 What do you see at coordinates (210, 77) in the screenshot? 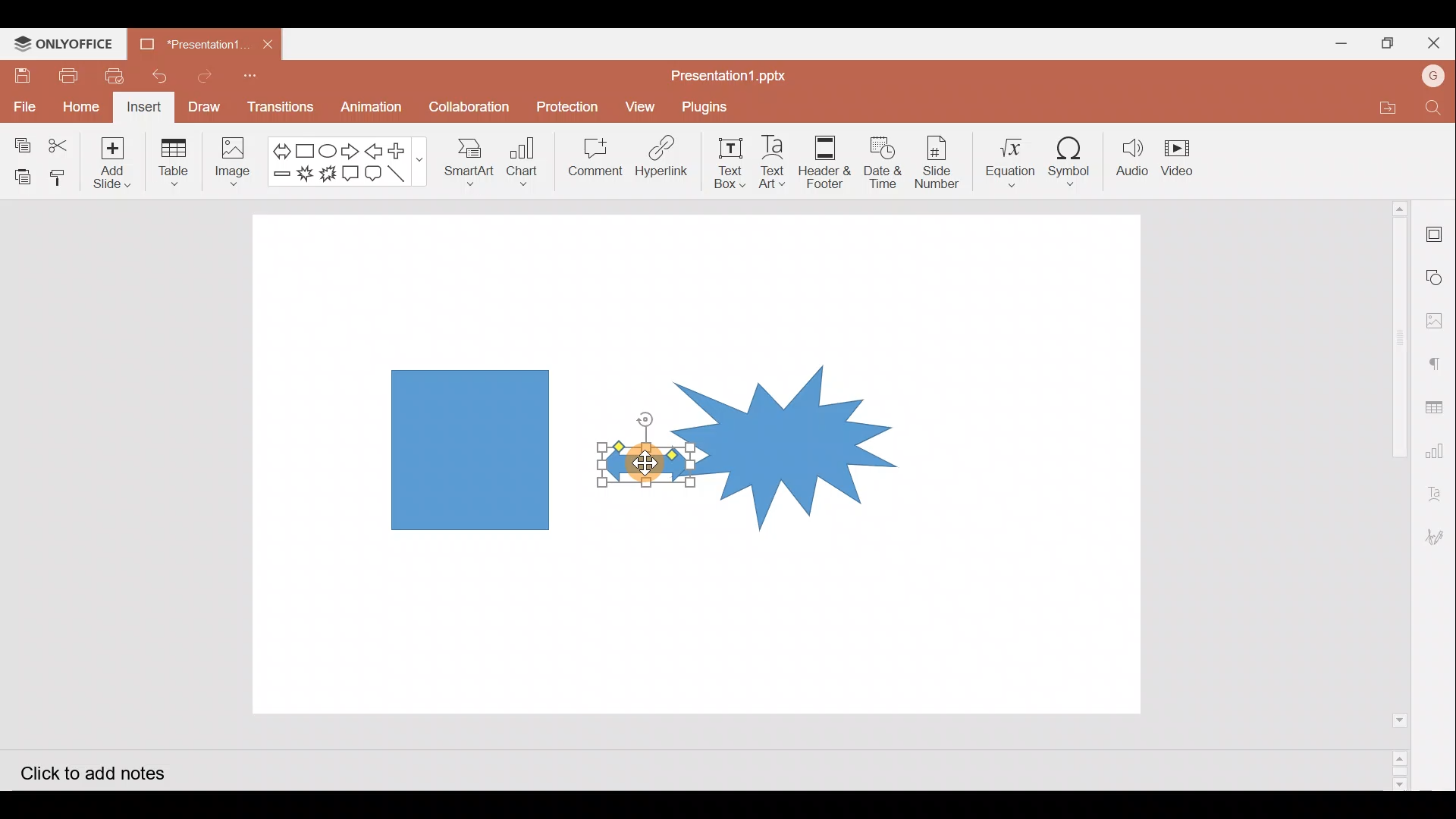
I see `Redo` at bounding box center [210, 77].